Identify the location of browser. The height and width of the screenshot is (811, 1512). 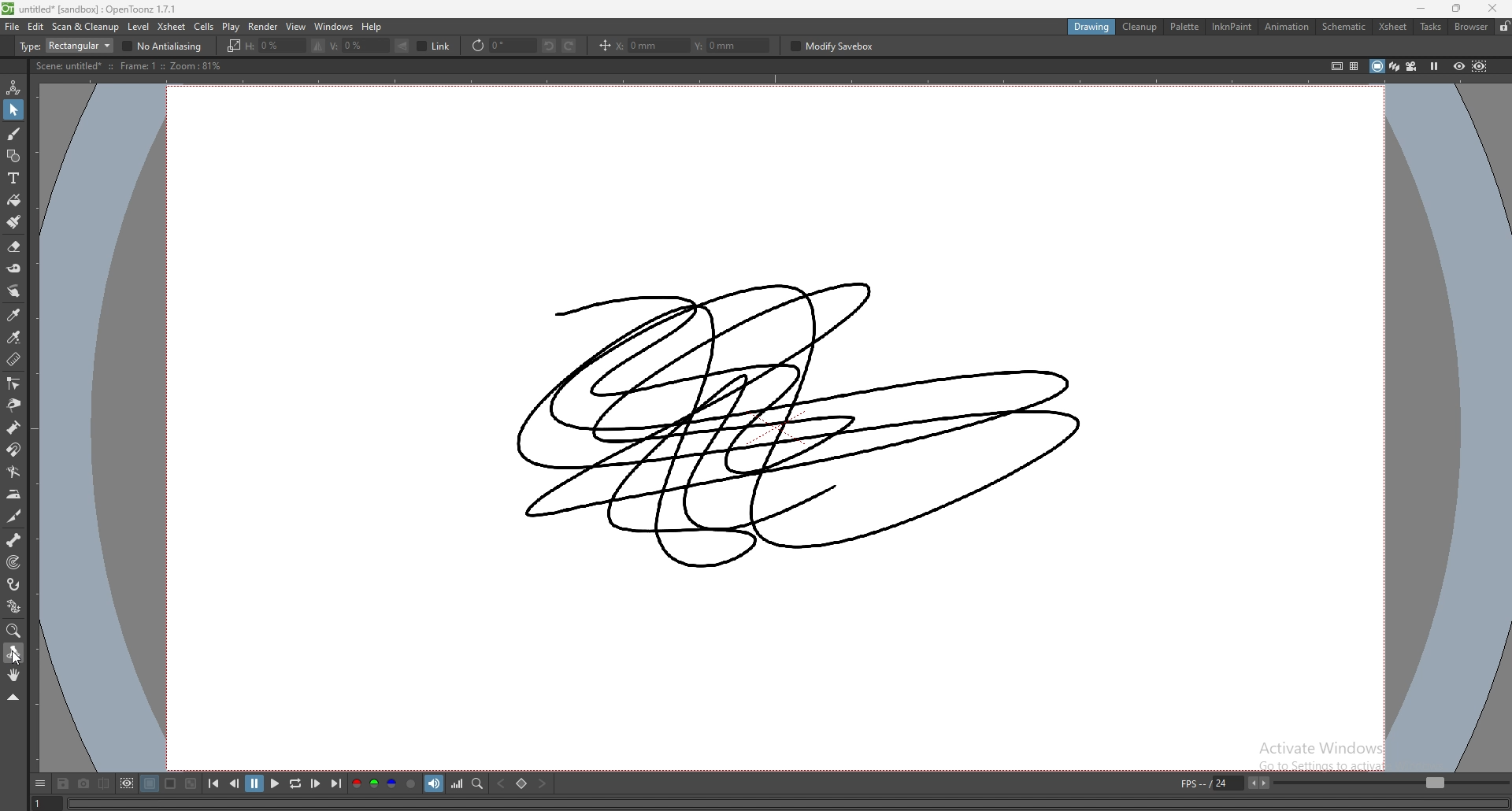
(1472, 26).